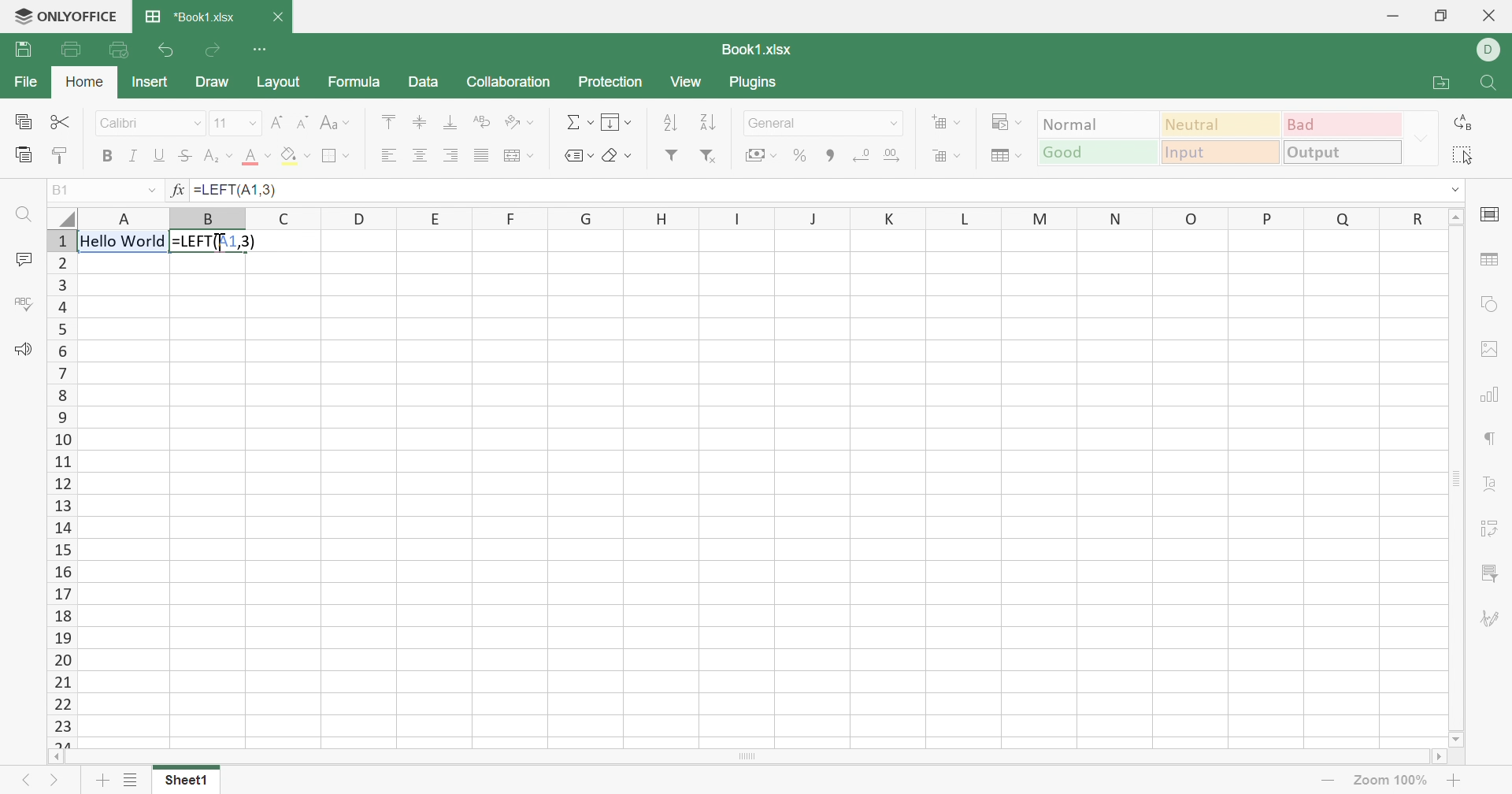 Image resolution: width=1512 pixels, height=794 pixels. What do you see at coordinates (671, 156) in the screenshot?
I see `Filter` at bounding box center [671, 156].